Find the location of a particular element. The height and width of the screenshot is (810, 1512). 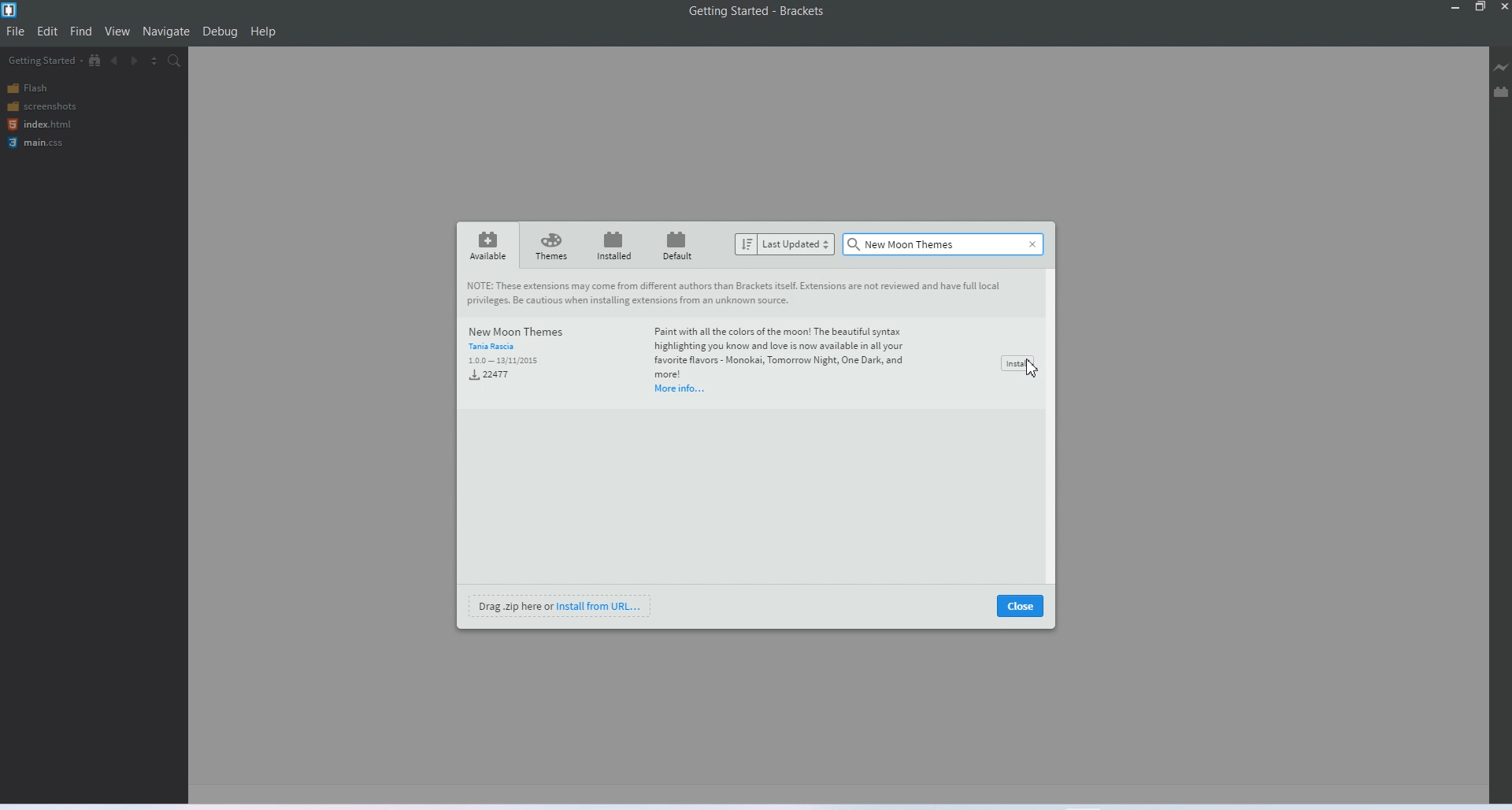

View is located at coordinates (117, 32).